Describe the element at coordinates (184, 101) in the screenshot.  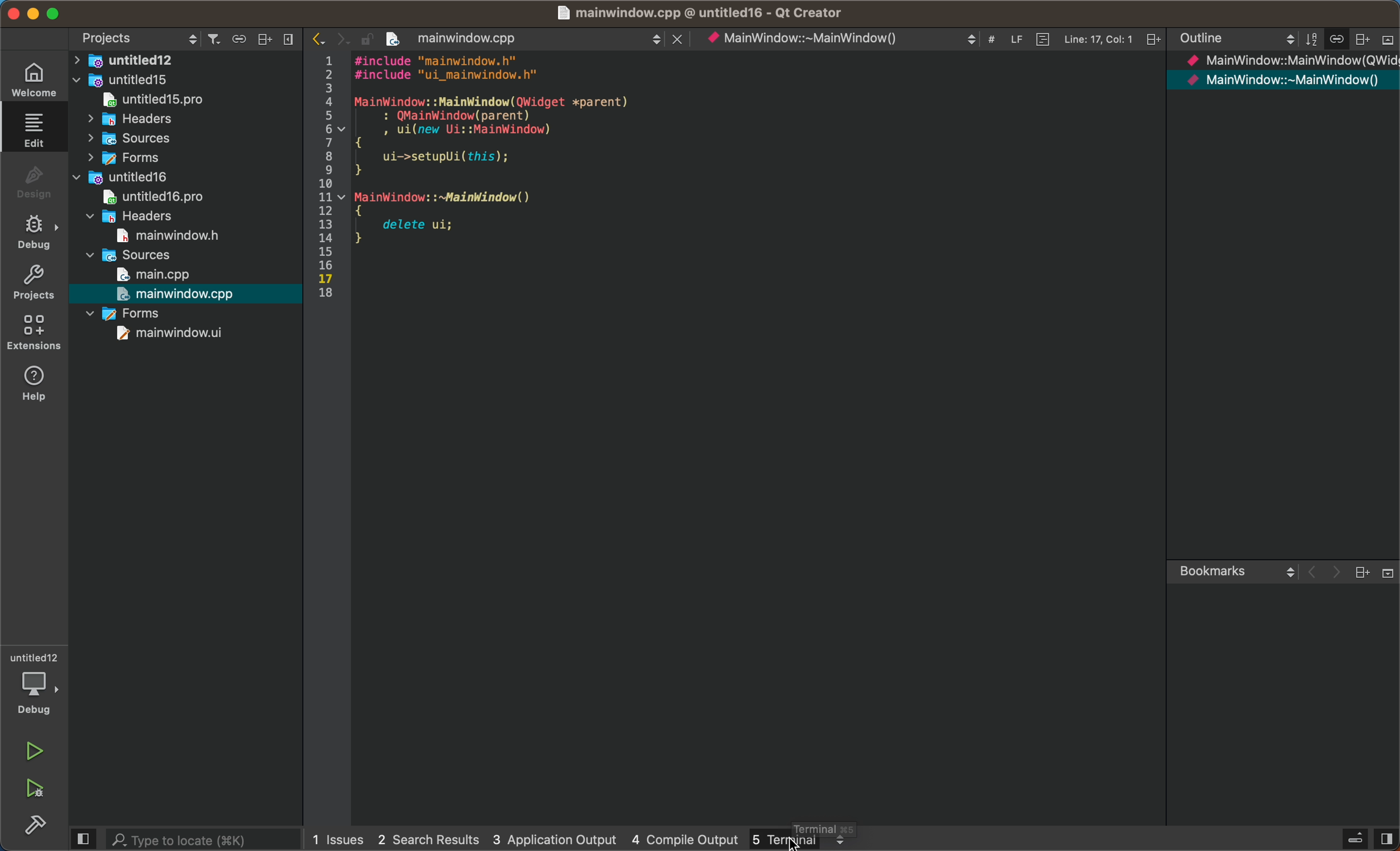
I see `file` at that location.